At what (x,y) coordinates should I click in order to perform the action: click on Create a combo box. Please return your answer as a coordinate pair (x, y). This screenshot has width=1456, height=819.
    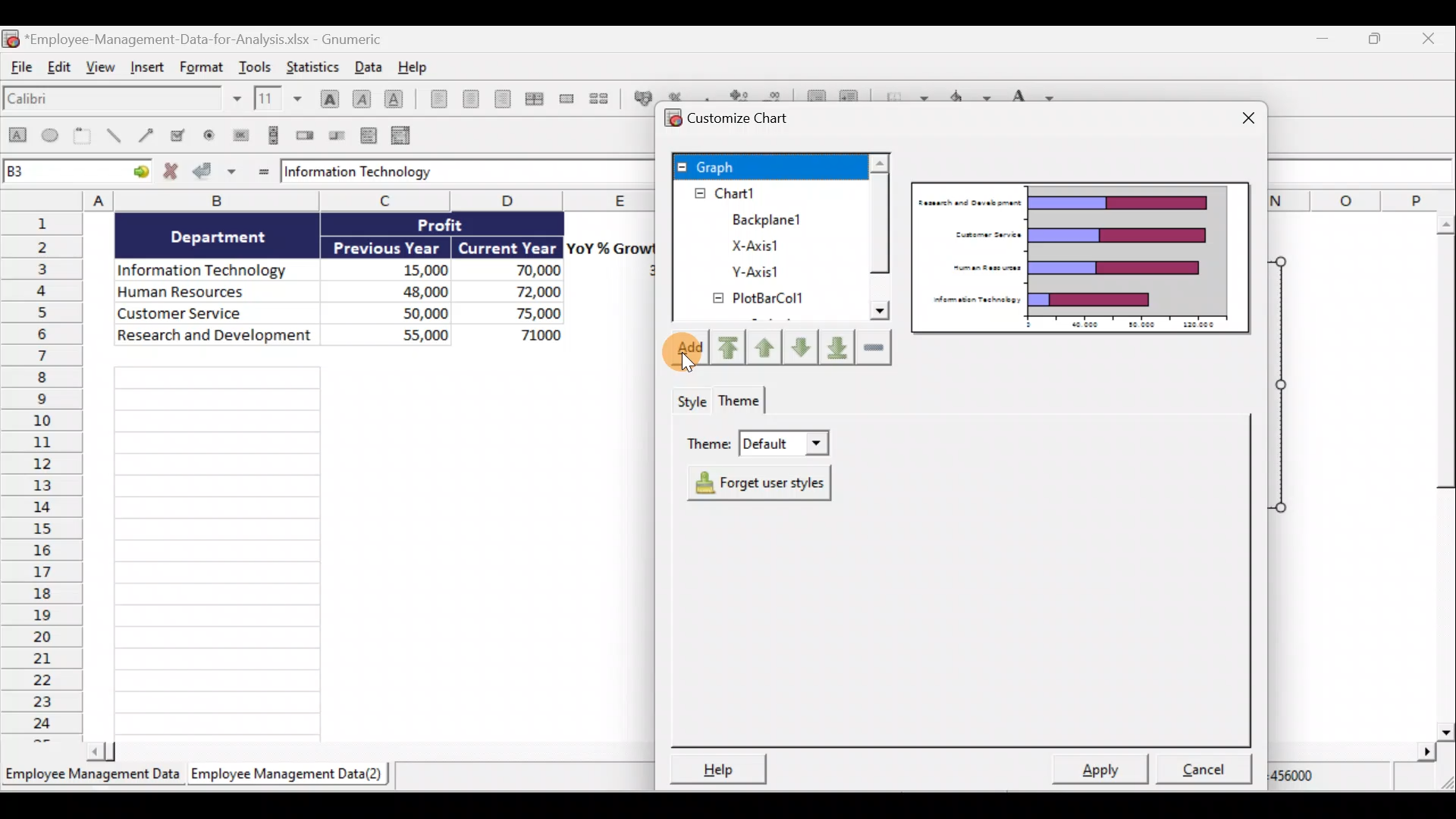
    Looking at the image, I should click on (403, 134).